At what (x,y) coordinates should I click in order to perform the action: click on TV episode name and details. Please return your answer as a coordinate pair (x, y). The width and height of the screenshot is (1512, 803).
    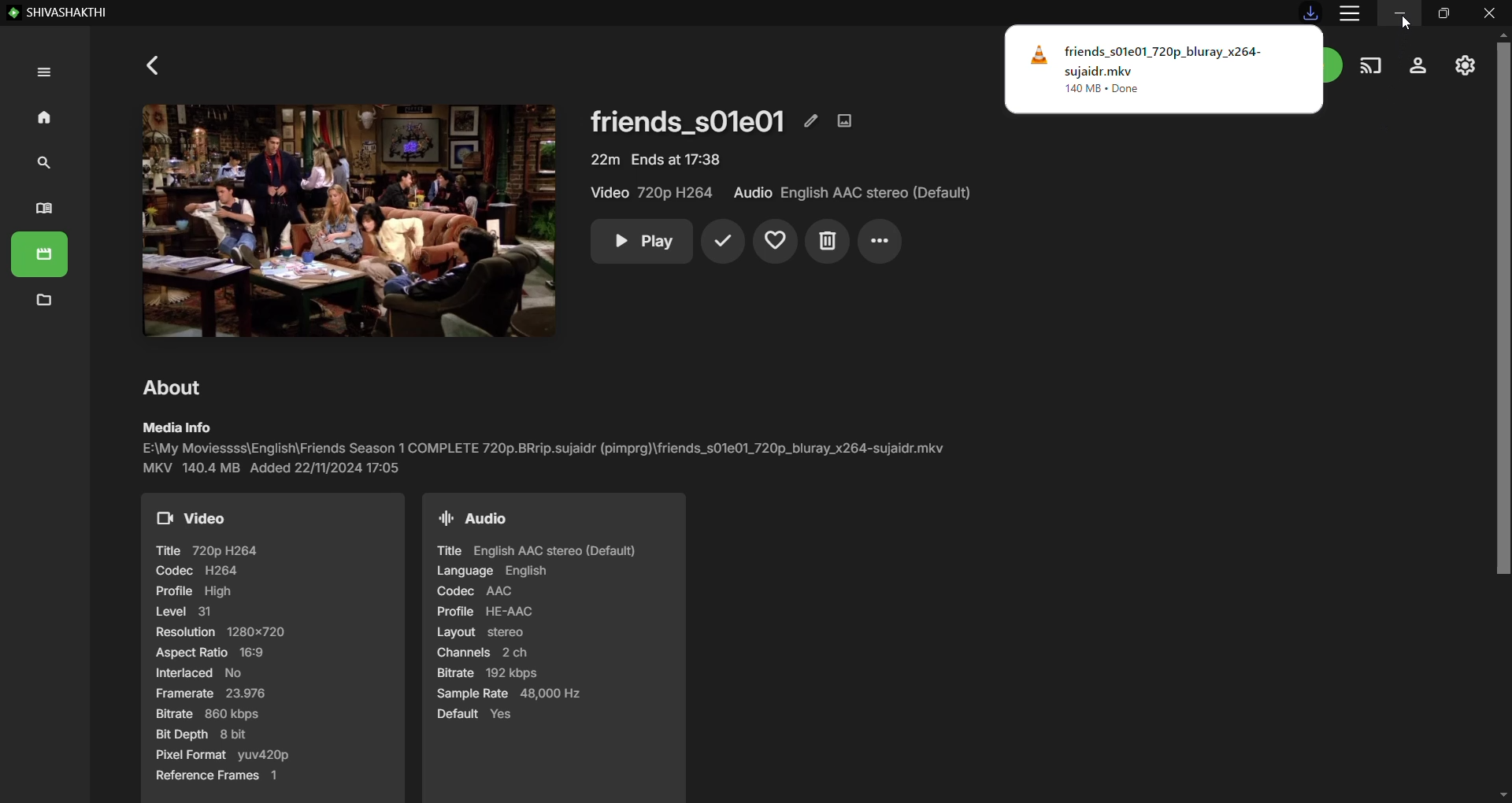
    Looking at the image, I should click on (688, 120).